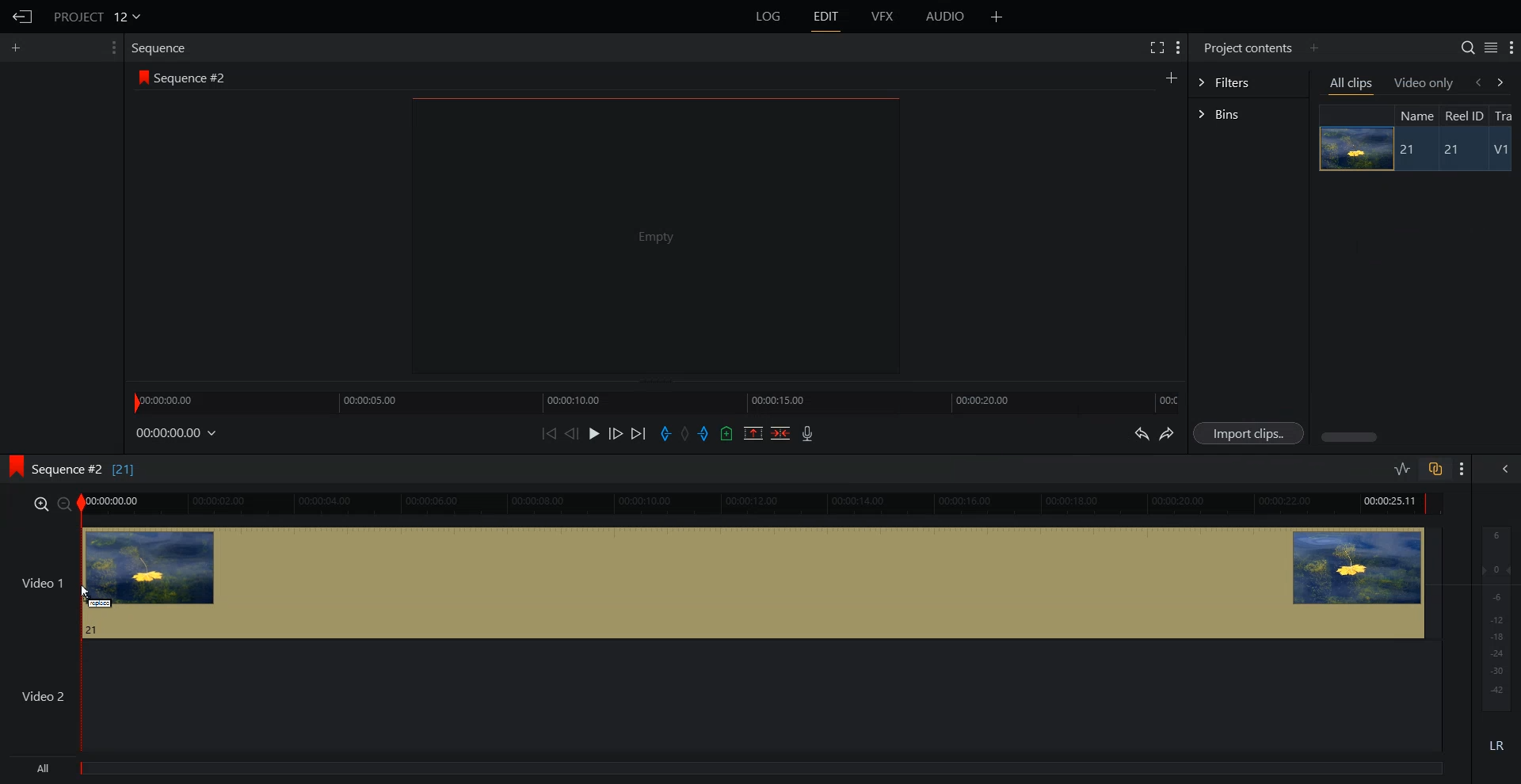 The image size is (1521, 784). What do you see at coordinates (85, 470) in the screenshot?
I see `Sequence #2 [21]` at bounding box center [85, 470].